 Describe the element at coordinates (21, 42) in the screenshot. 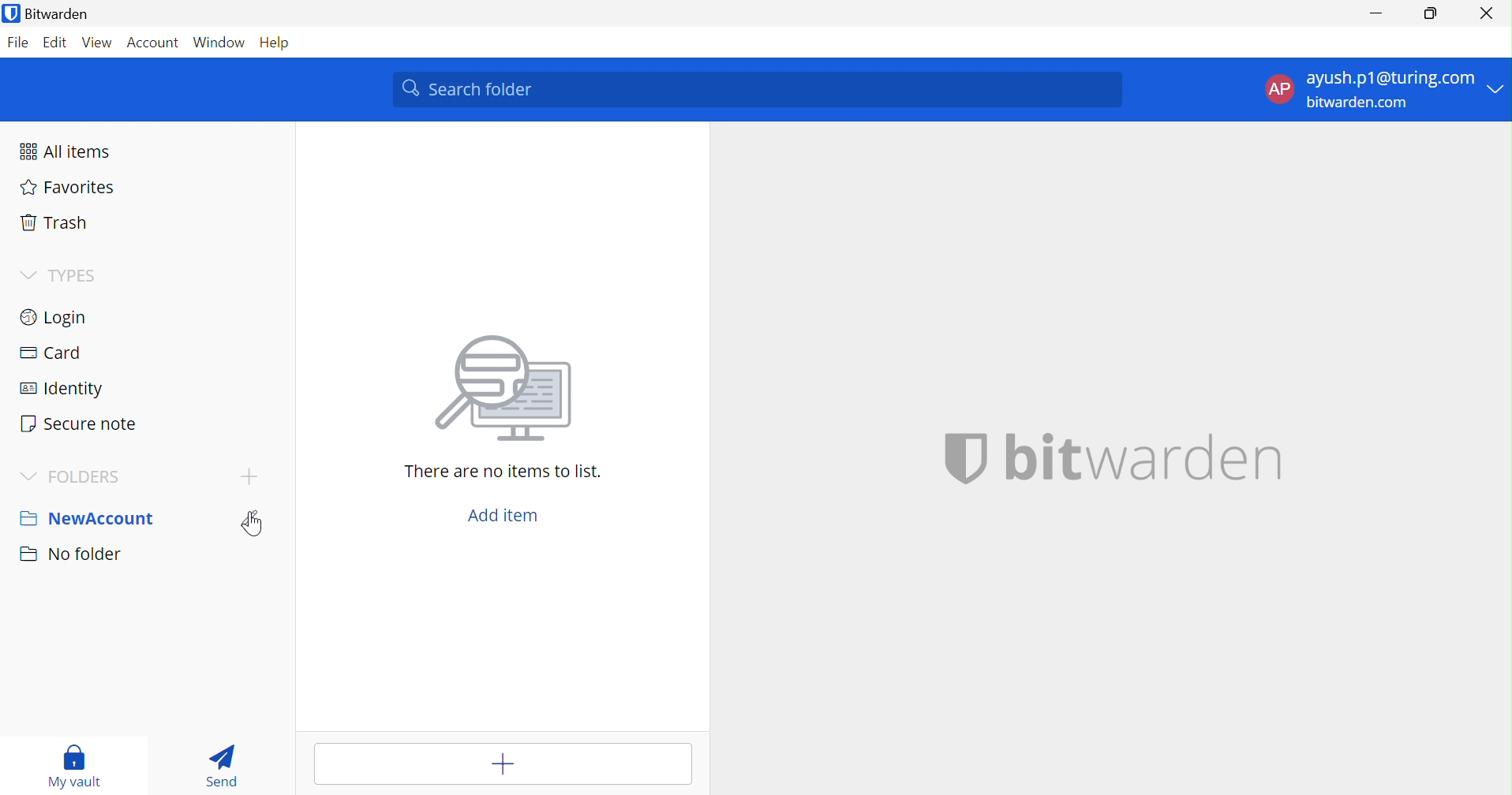

I see `File` at that location.